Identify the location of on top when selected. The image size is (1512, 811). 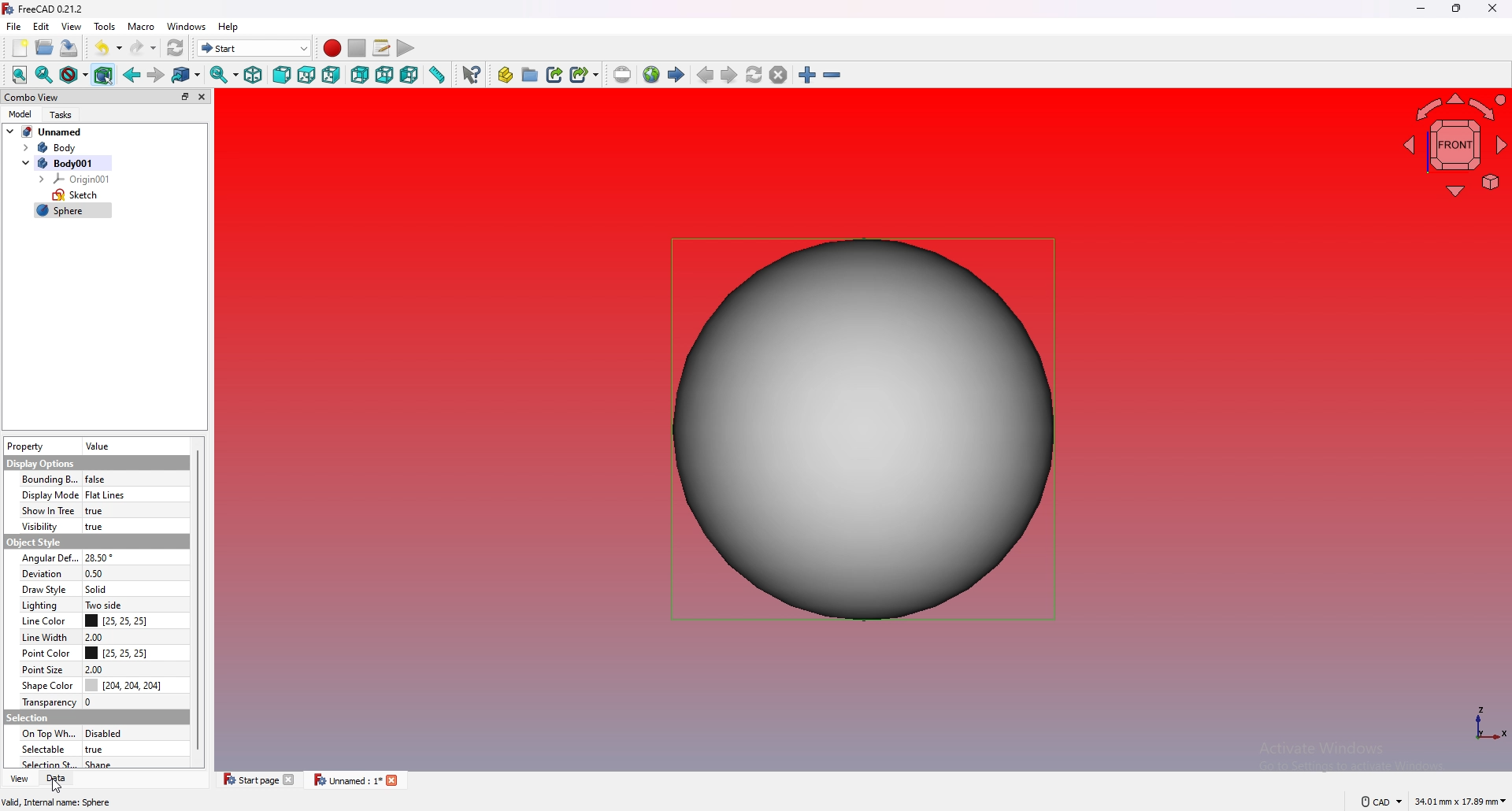
(94, 733).